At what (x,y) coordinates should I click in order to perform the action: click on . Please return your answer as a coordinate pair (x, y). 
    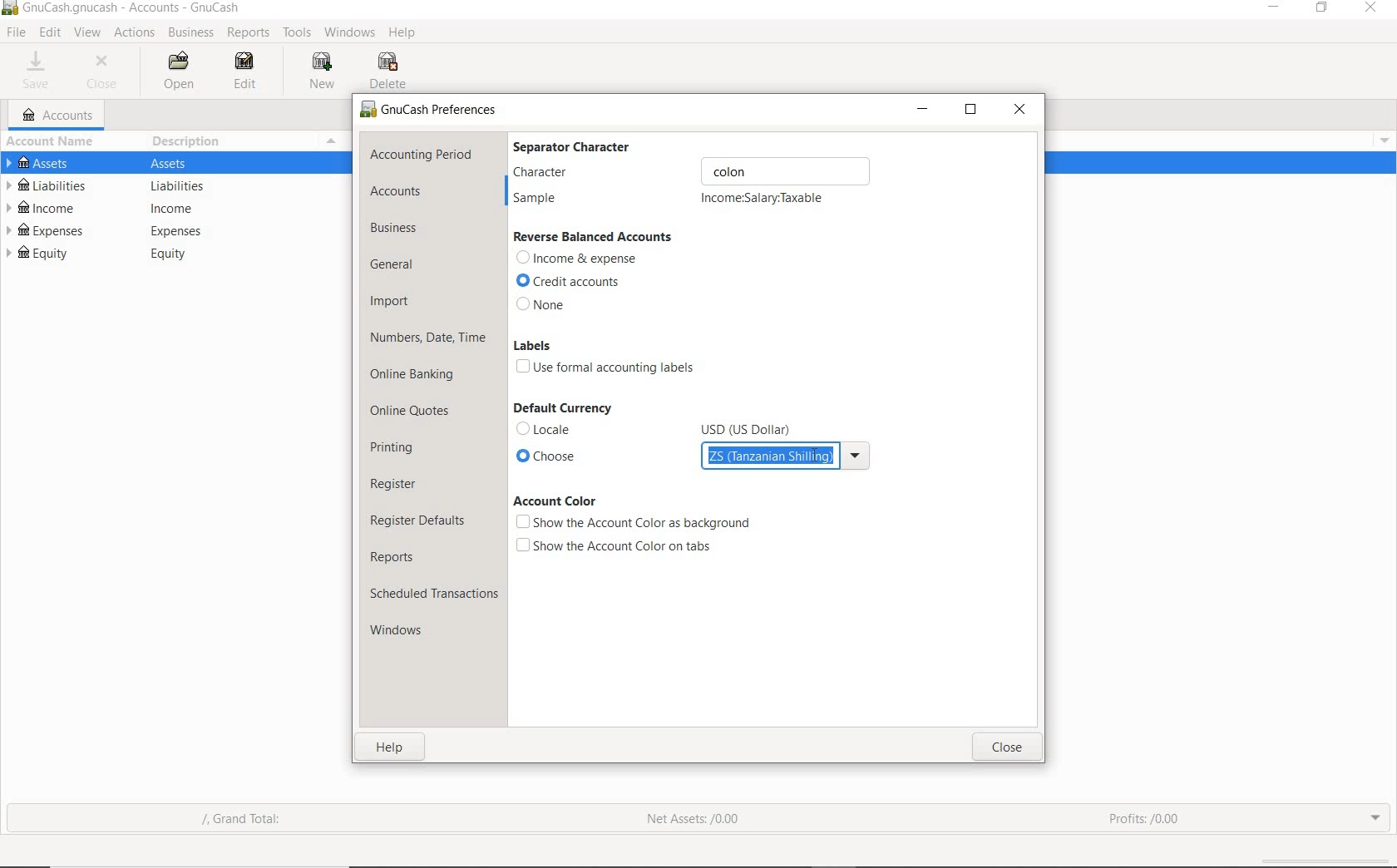
    Looking at the image, I should click on (178, 231).